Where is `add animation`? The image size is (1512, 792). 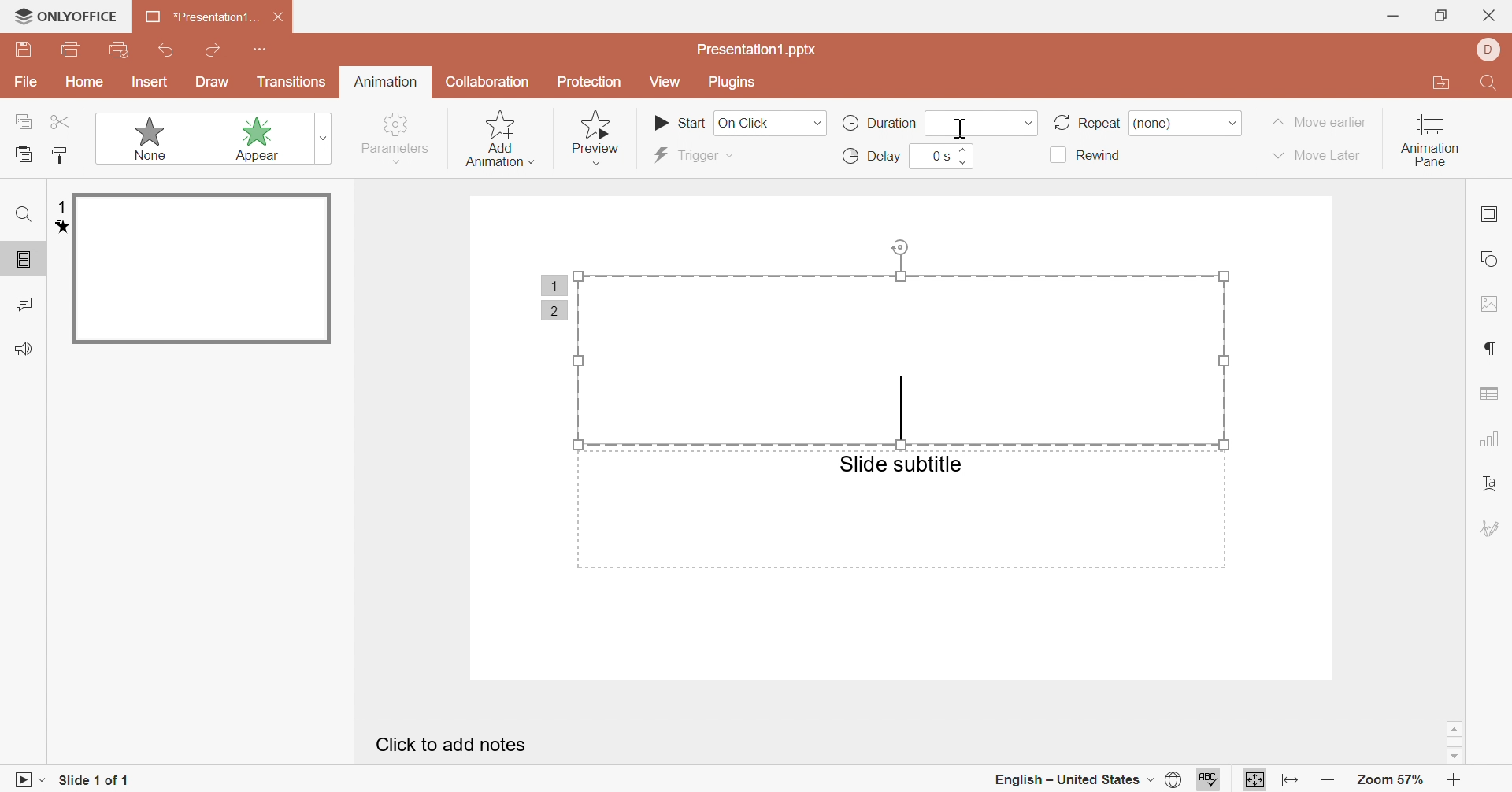
add animation is located at coordinates (497, 137).